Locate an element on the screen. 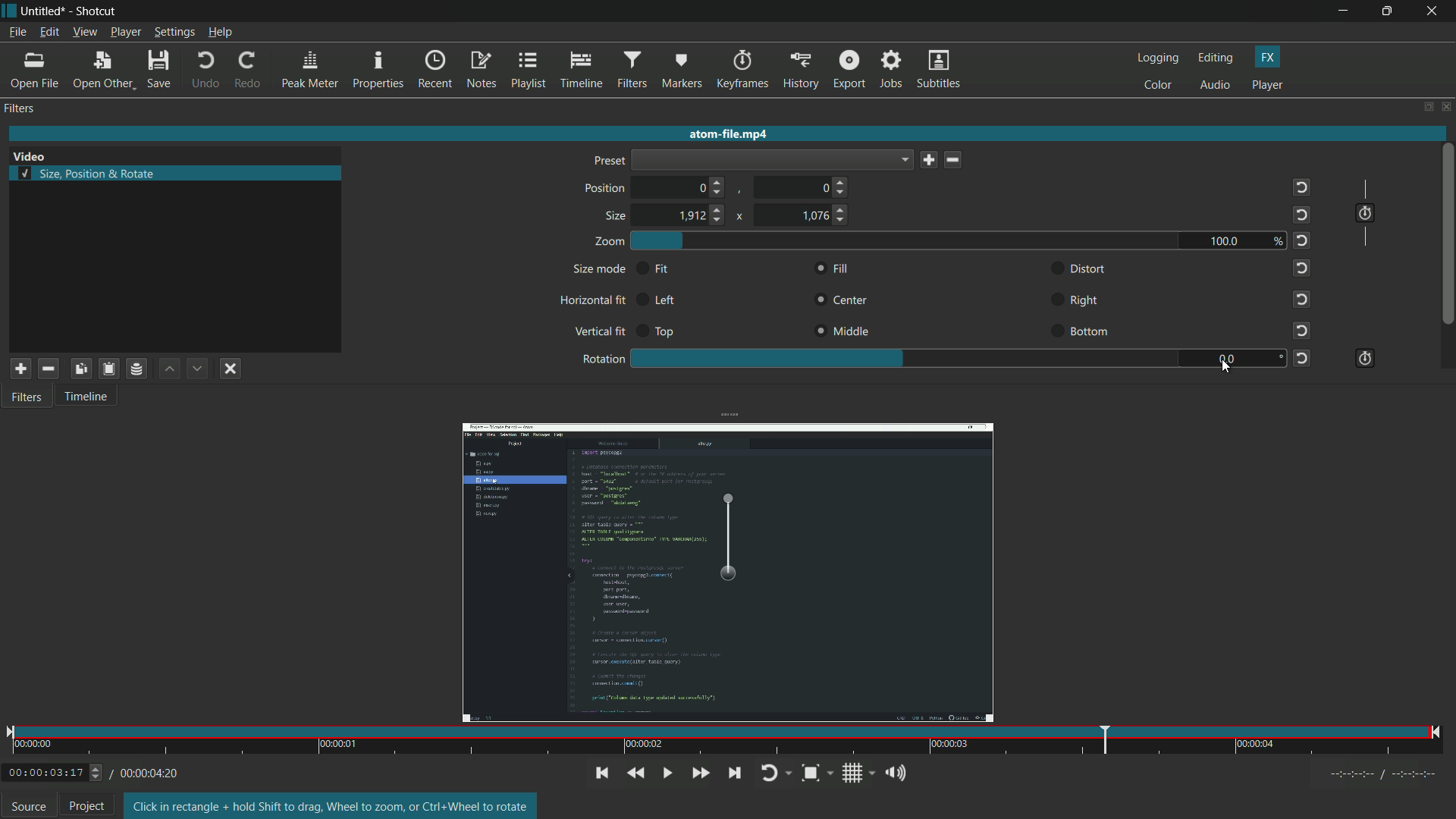 The width and height of the screenshot is (1456, 819). toggle zoom is located at coordinates (817, 772).